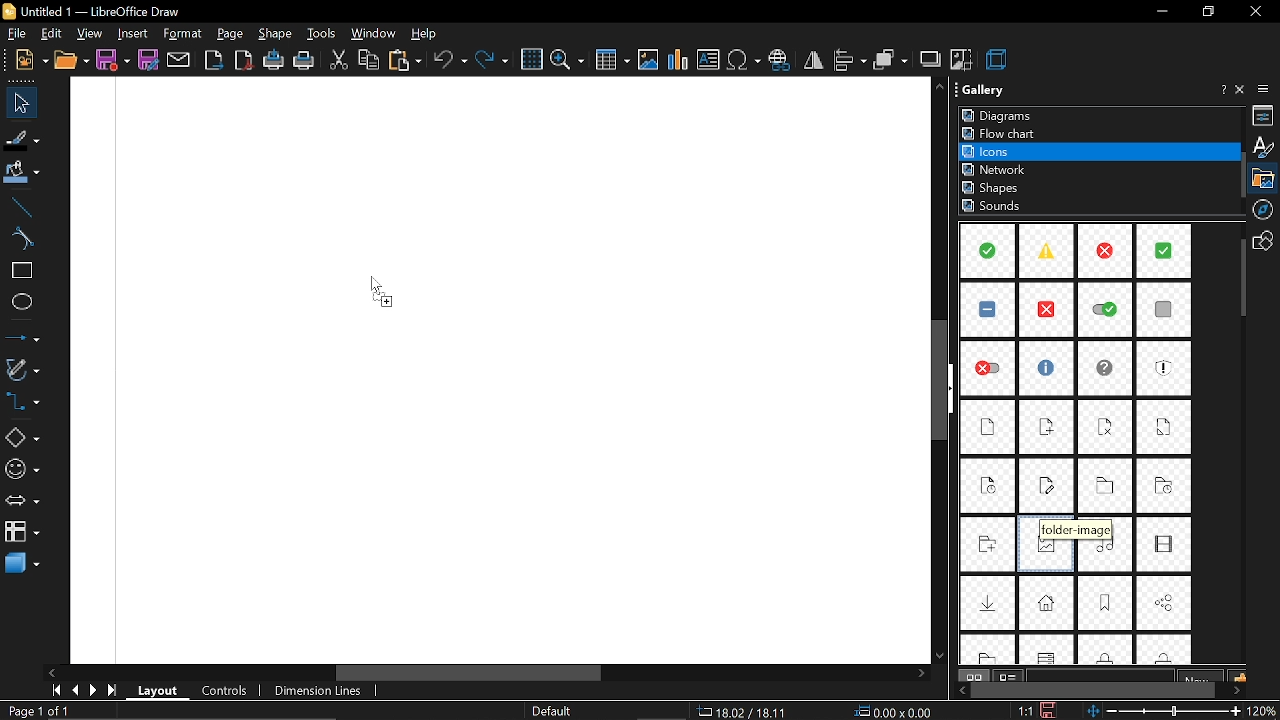 The height and width of the screenshot is (720, 1280). What do you see at coordinates (449, 61) in the screenshot?
I see `undo` at bounding box center [449, 61].